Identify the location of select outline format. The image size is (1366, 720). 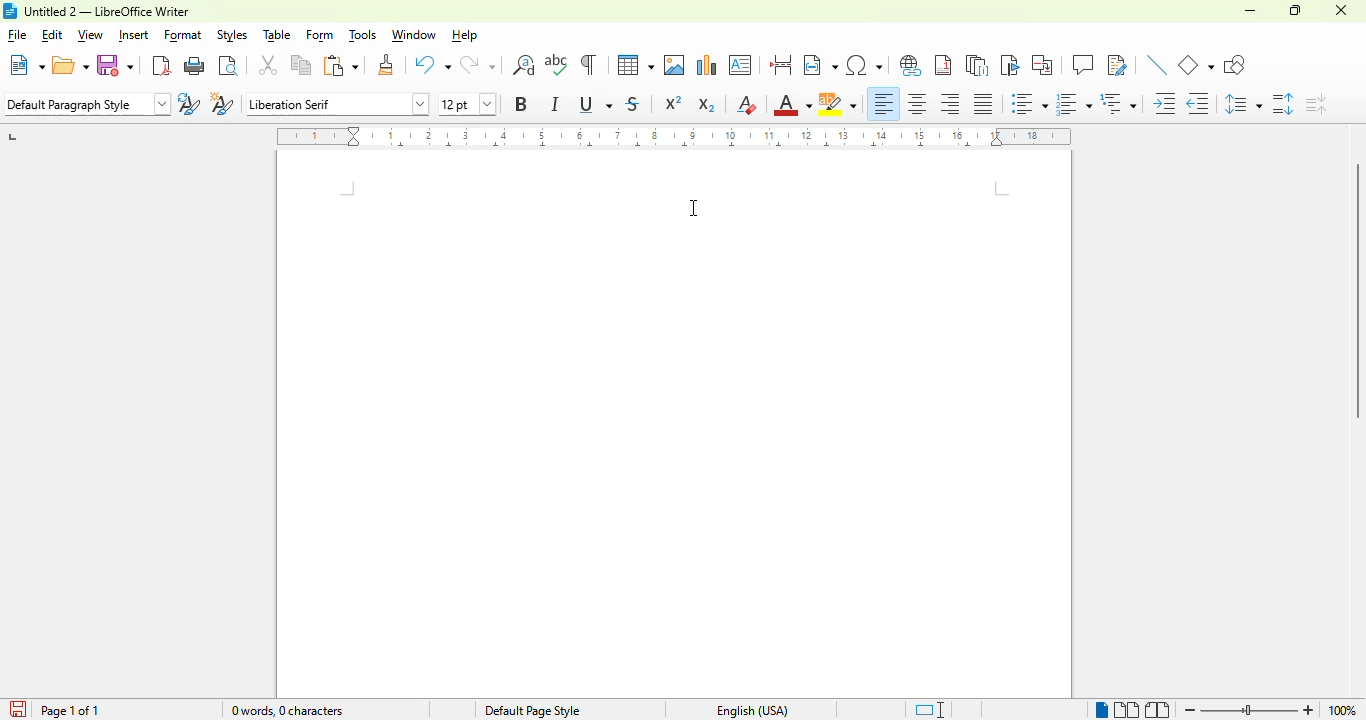
(1118, 104).